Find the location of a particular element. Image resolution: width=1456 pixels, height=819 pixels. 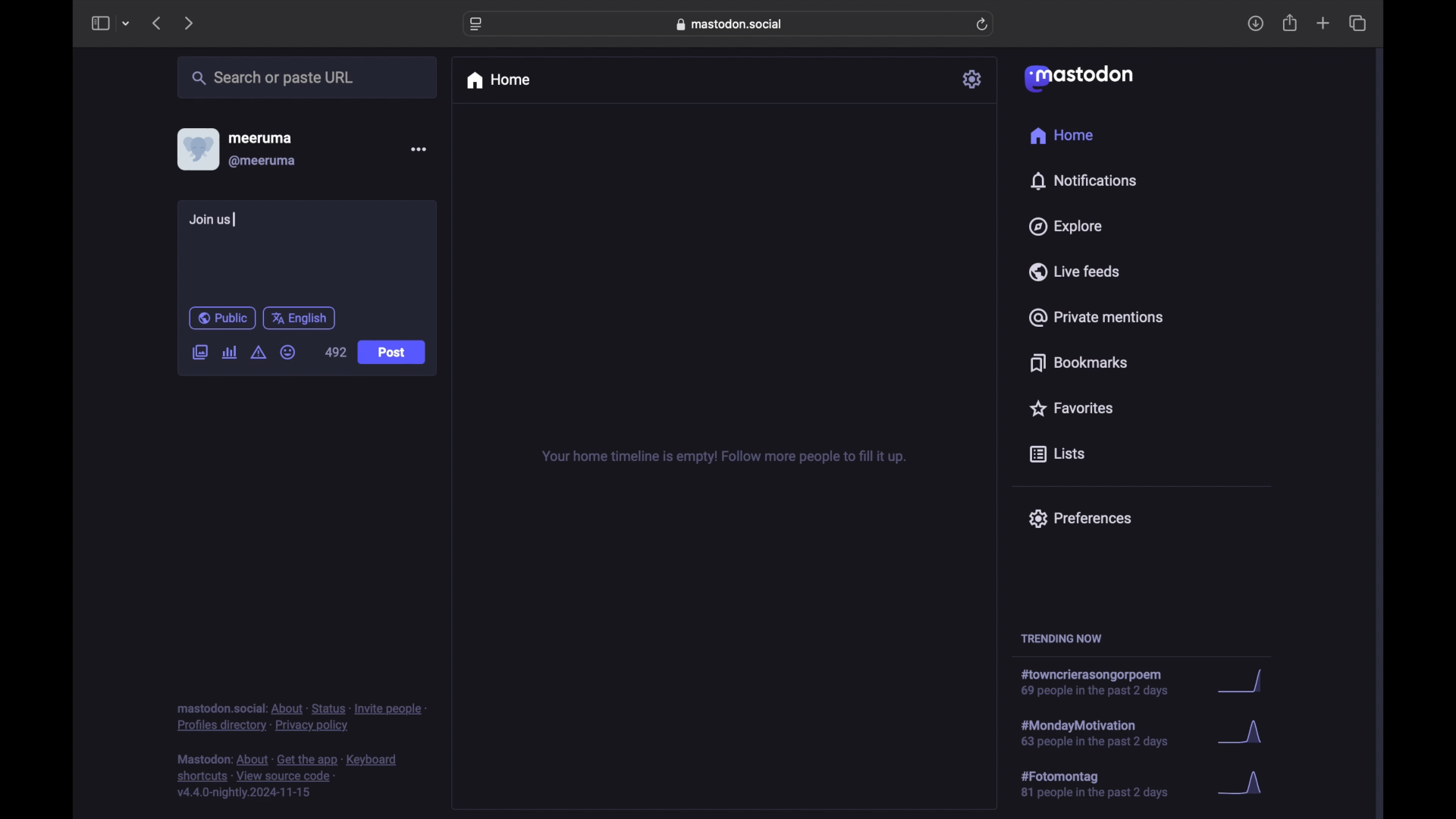

graph is located at coordinates (1240, 682).